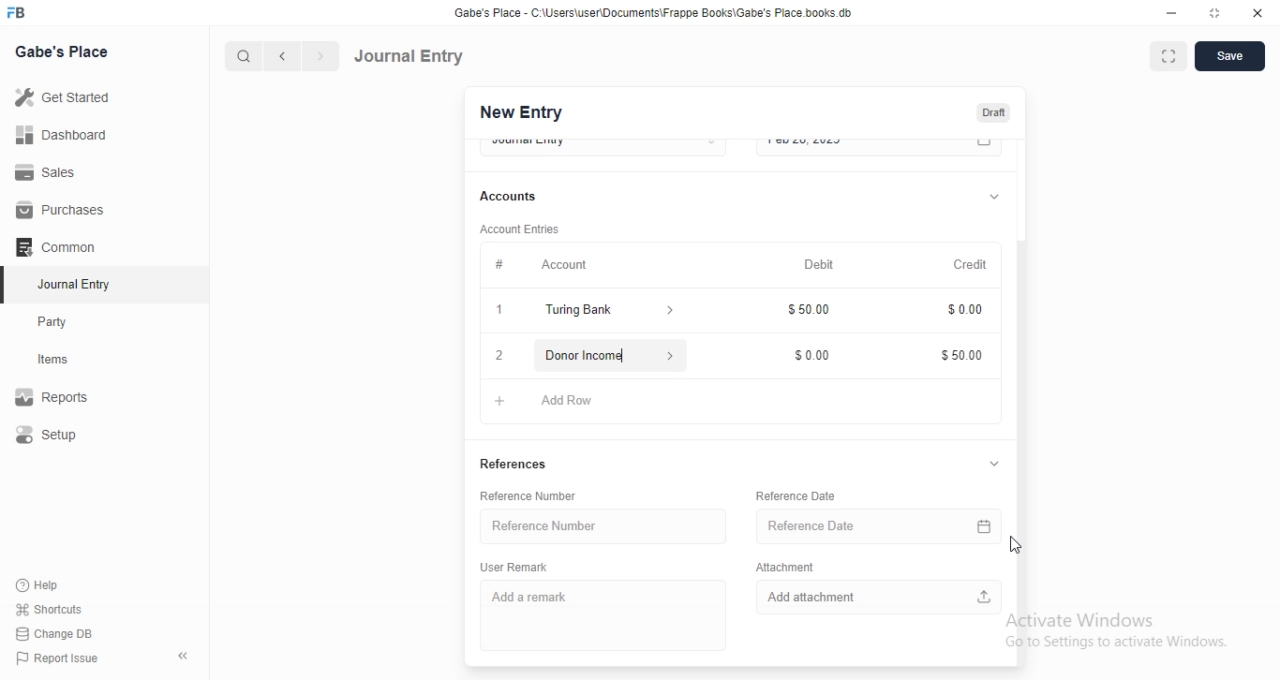  Describe the element at coordinates (1216, 15) in the screenshot. I see `restore down` at that location.